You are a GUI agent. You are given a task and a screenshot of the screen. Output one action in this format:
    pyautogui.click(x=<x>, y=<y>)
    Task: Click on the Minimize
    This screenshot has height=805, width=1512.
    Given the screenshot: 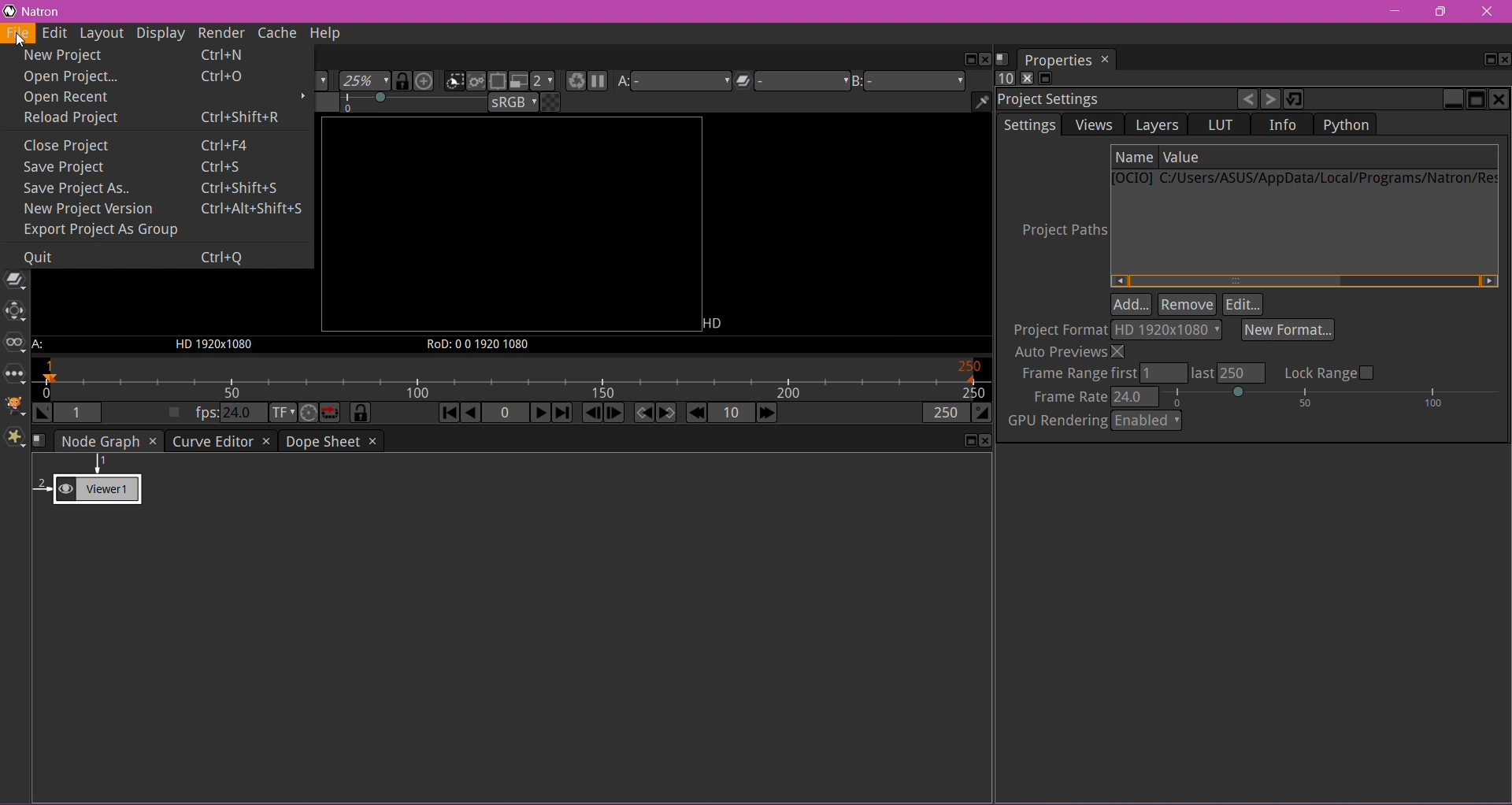 What is the action you would take?
    pyautogui.click(x=1451, y=99)
    